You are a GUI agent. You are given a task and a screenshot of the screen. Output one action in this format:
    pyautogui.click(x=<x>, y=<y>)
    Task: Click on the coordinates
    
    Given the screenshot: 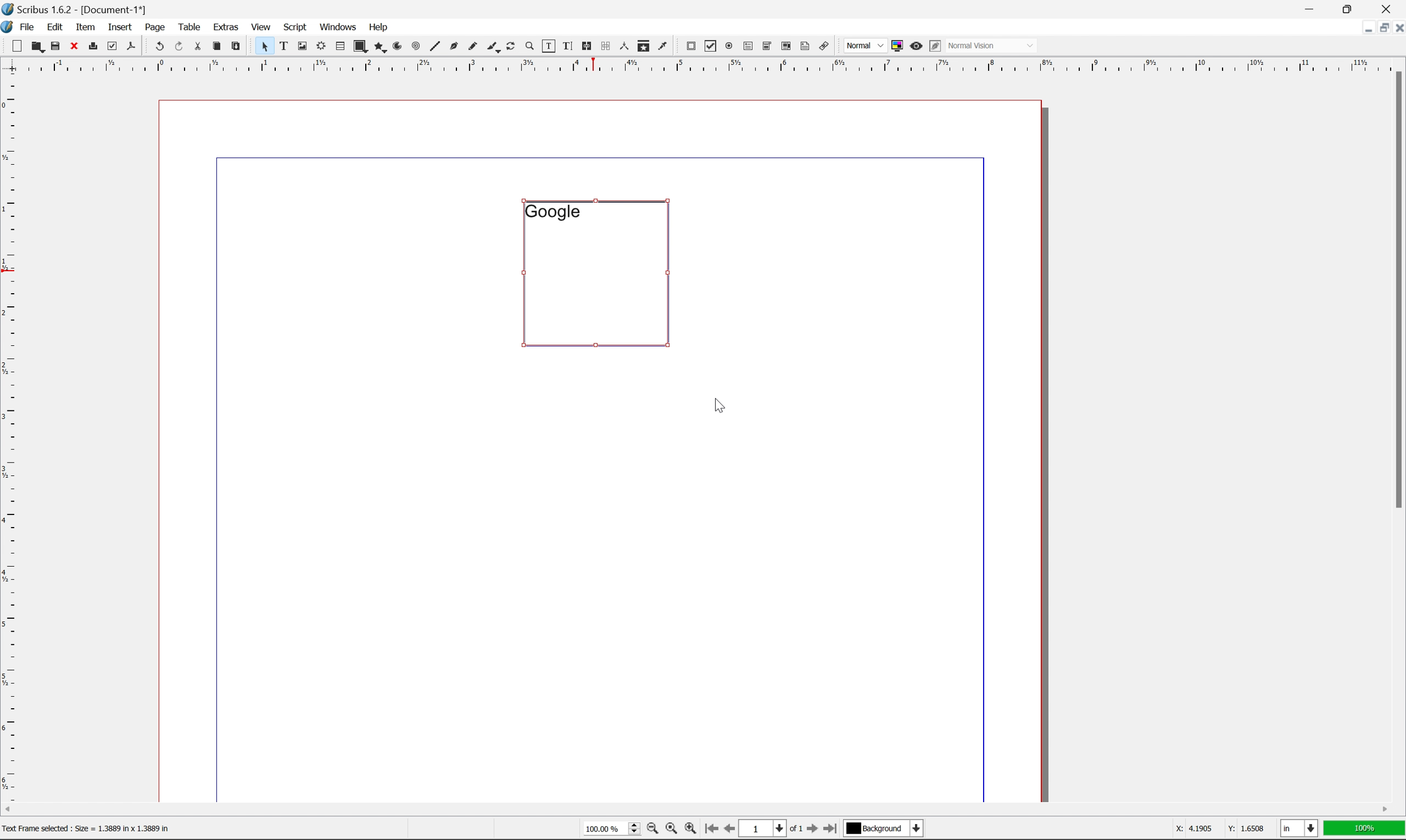 What is the action you would take?
    pyautogui.click(x=1212, y=829)
    